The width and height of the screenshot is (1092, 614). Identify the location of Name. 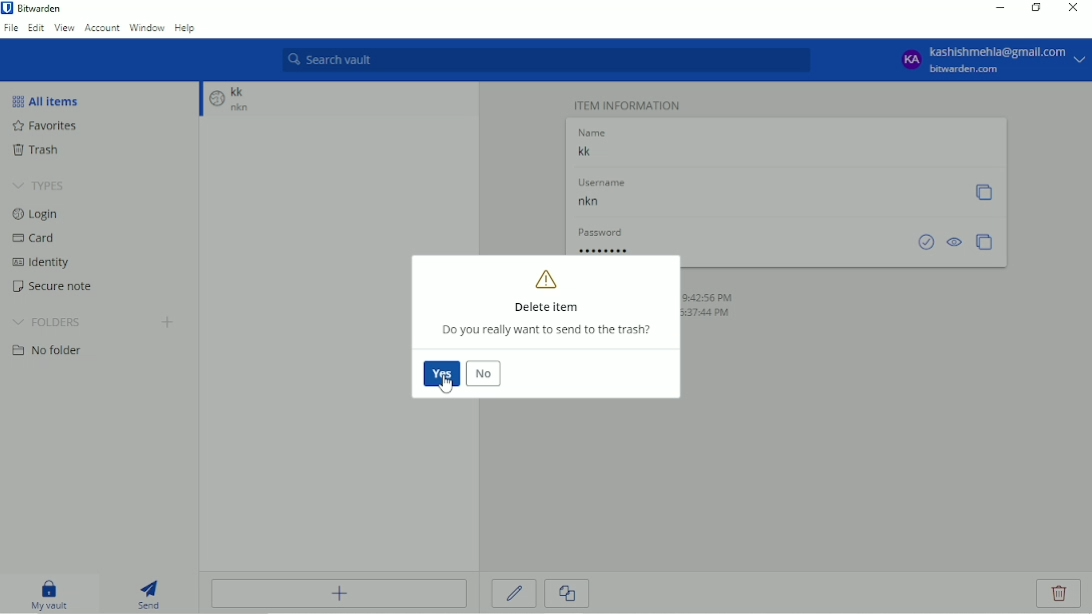
(782, 151).